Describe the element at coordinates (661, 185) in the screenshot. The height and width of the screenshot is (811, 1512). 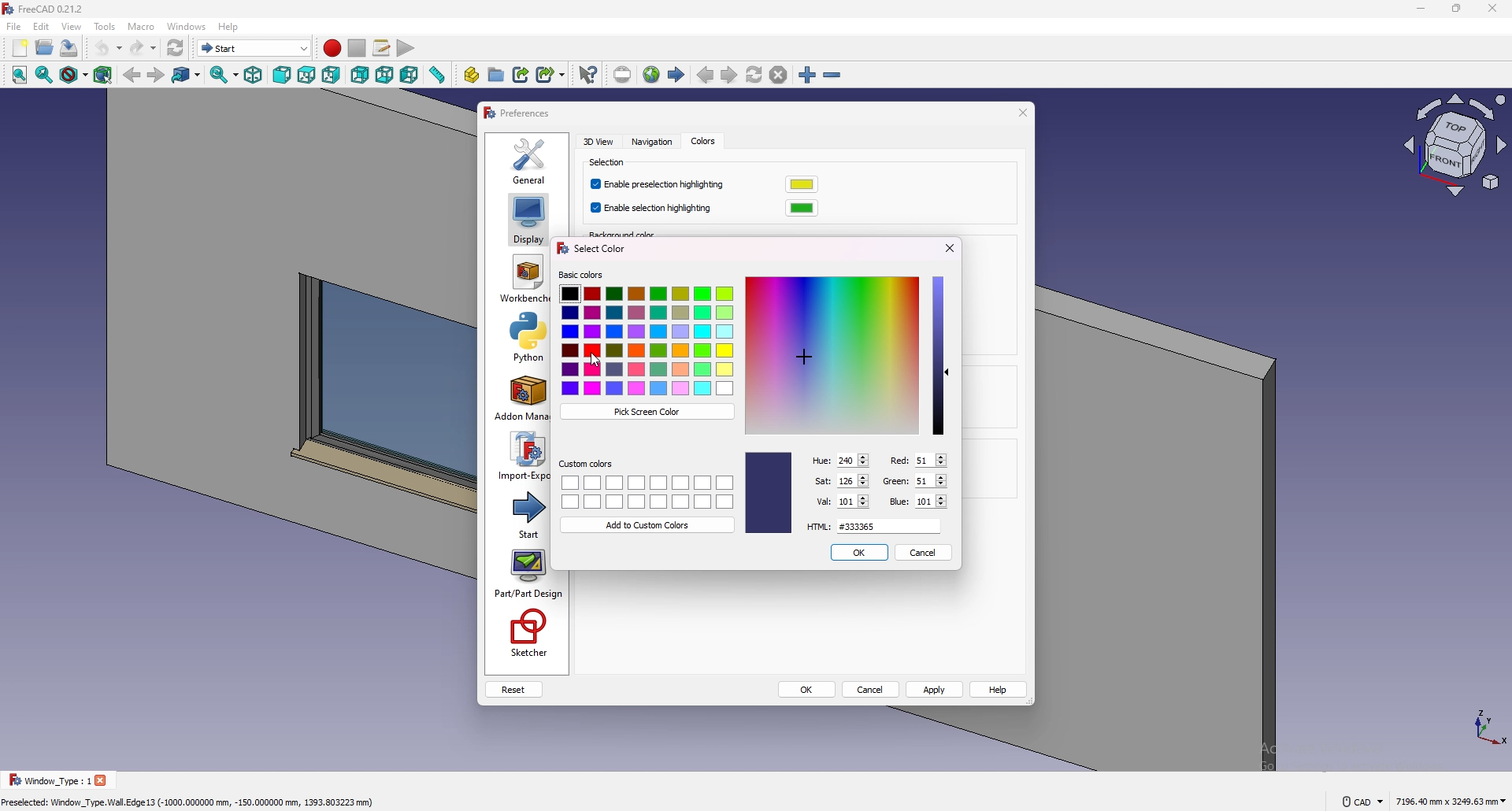
I see `enable preselection highlighting` at that location.